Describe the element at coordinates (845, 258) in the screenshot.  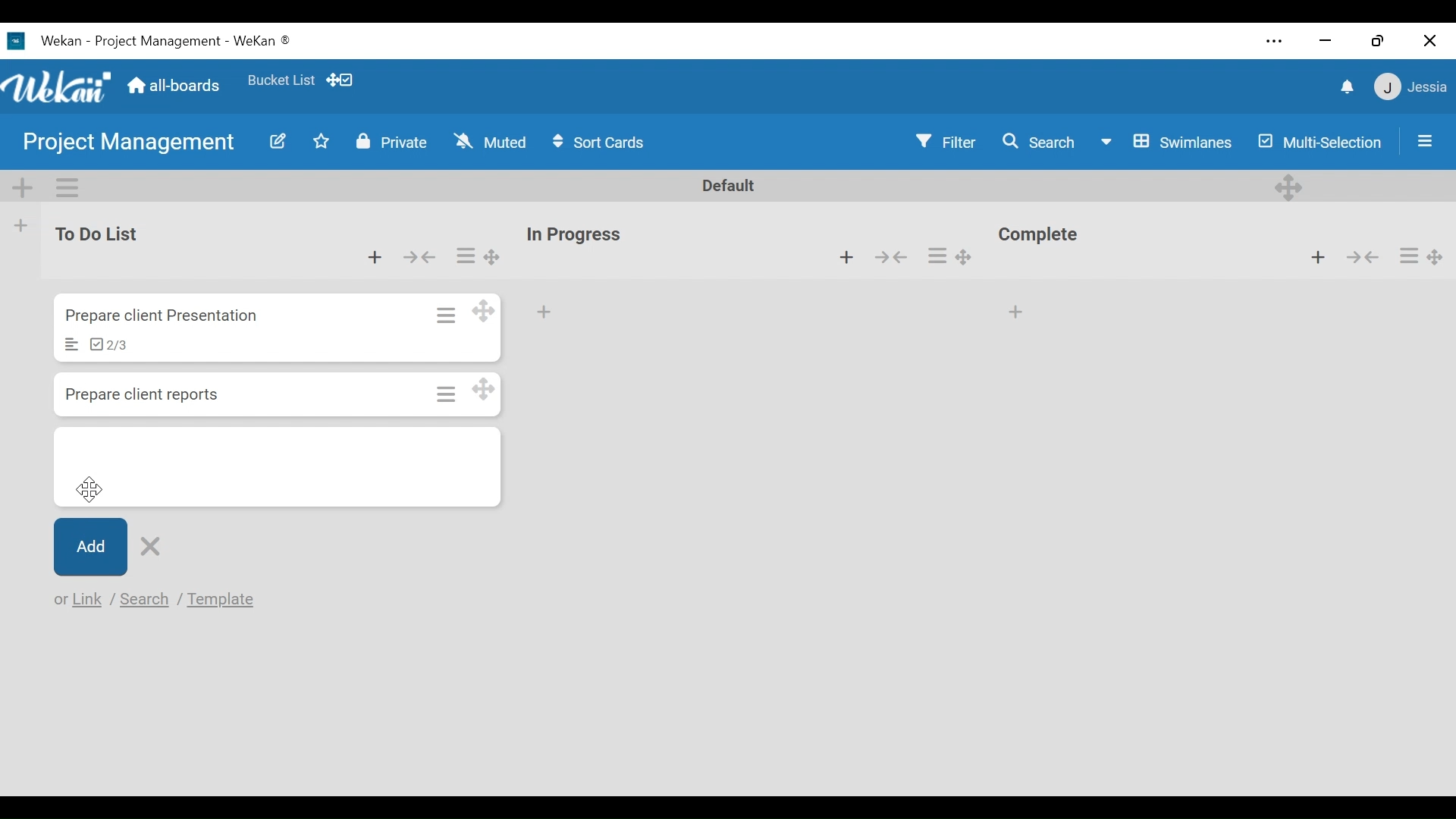
I see `Add card to top of the list` at that location.